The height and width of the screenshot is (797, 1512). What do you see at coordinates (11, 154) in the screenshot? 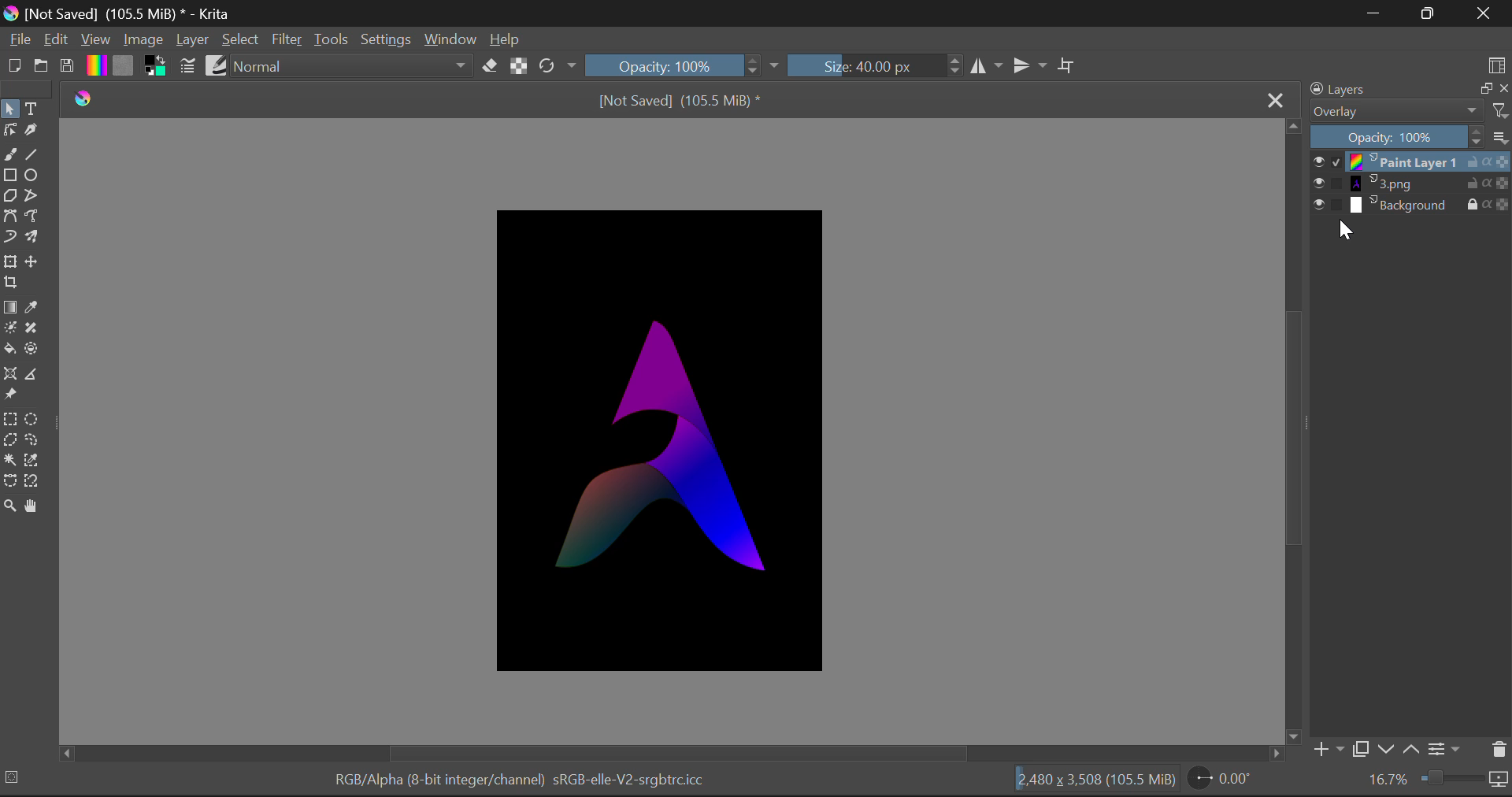
I see `Freehand` at bounding box center [11, 154].